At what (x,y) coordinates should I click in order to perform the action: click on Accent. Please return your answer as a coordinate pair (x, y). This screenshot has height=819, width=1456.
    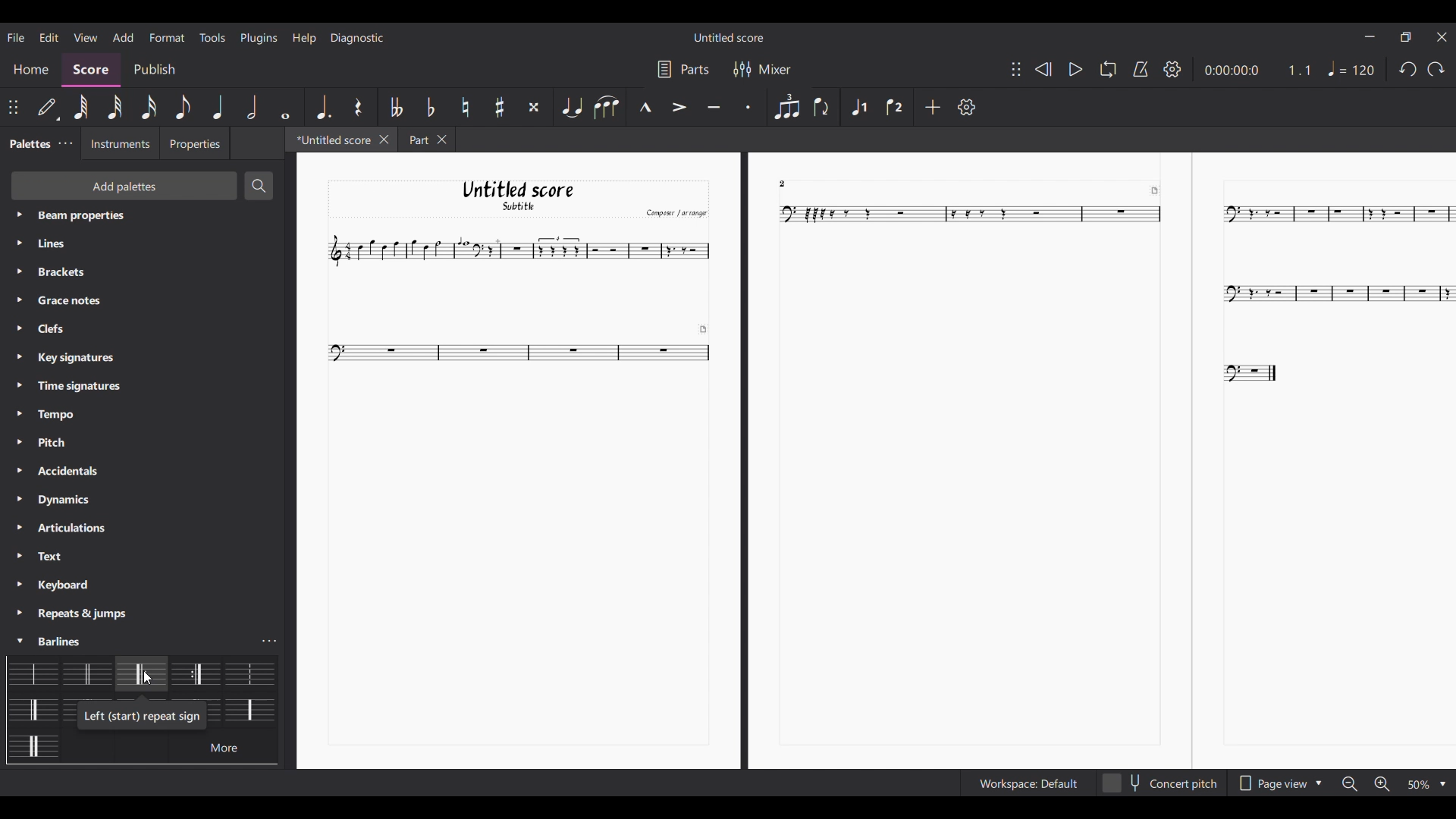
    Looking at the image, I should click on (680, 107).